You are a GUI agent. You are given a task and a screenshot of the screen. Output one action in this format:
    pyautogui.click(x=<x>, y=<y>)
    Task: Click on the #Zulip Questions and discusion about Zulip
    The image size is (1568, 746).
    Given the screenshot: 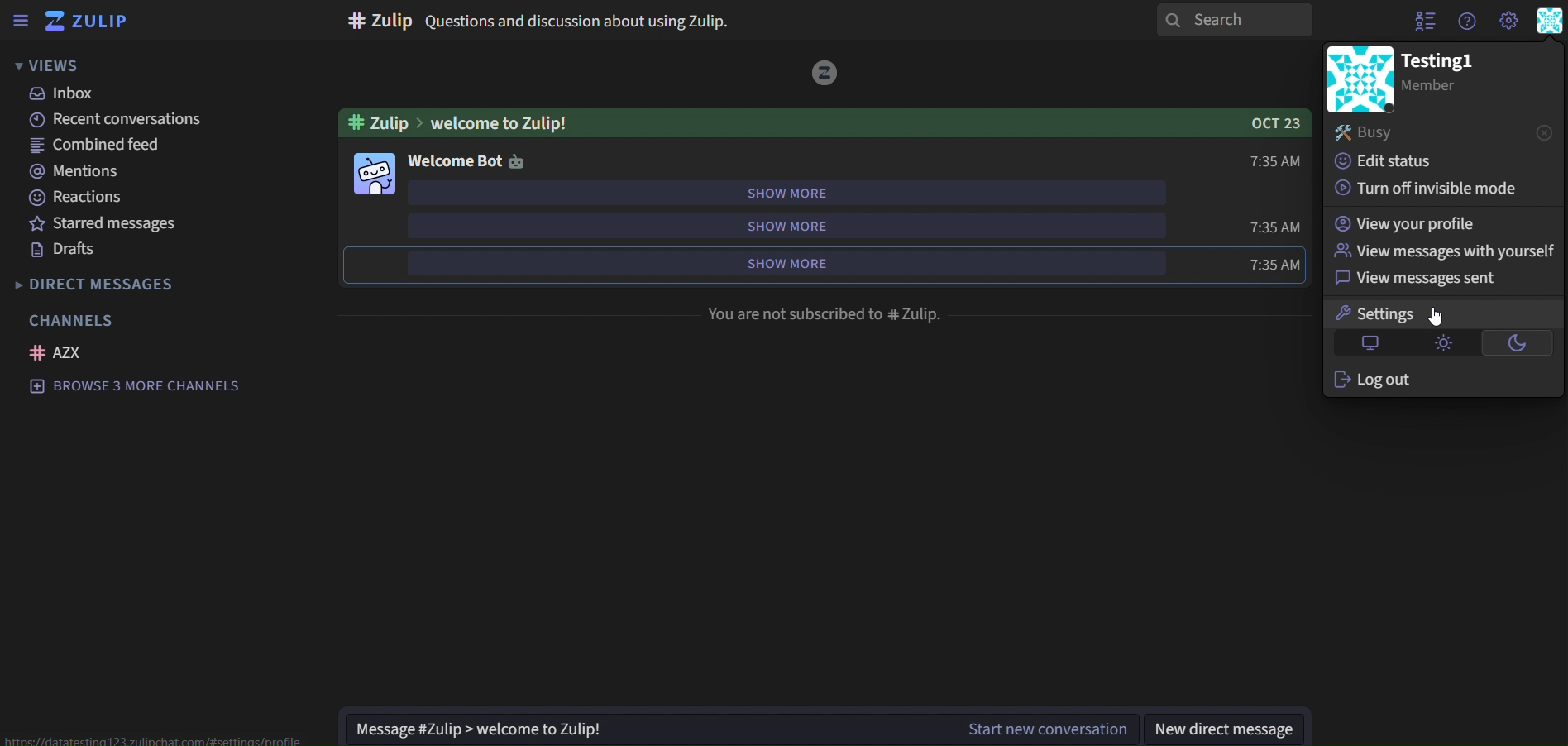 What is the action you would take?
    pyautogui.click(x=546, y=19)
    